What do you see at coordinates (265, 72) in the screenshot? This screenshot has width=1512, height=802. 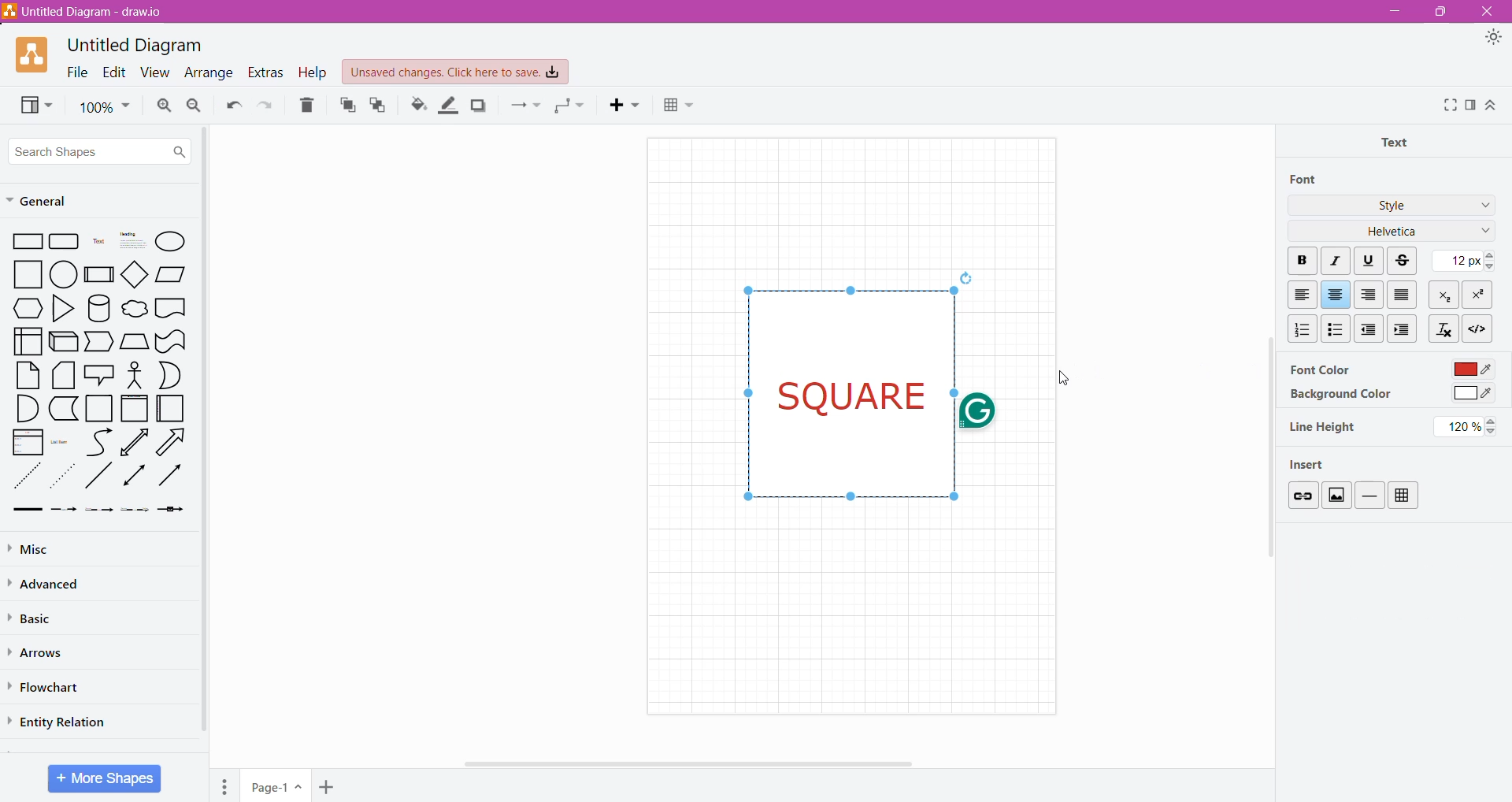 I see `Extras` at bounding box center [265, 72].